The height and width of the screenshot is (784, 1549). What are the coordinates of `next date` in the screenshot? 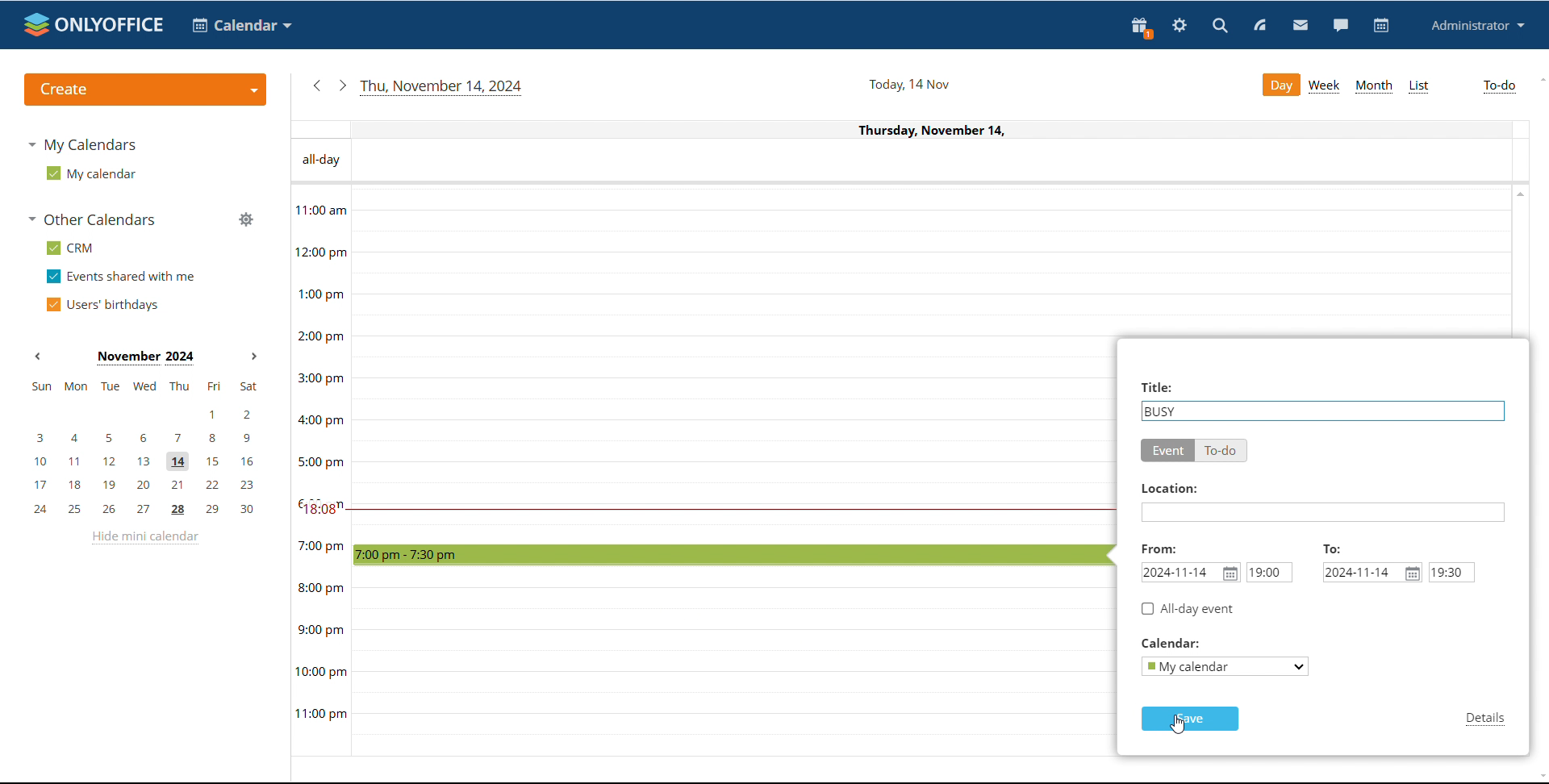 It's located at (341, 85).